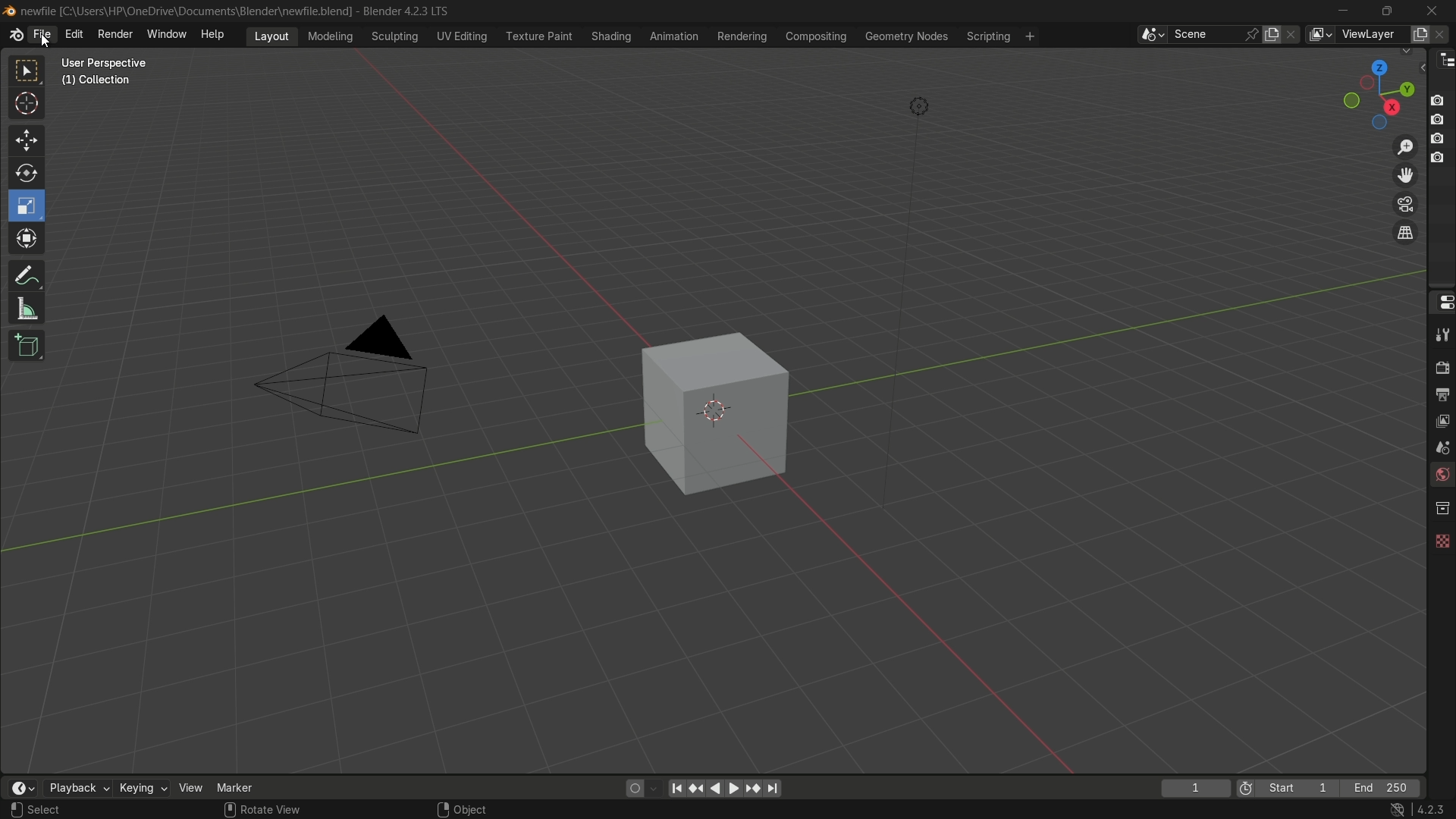  What do you see at coordinates (187, 11) in the screenshot?
I see `C:\User:\\HP\Onedrive\Documents\Blender` at bounding box center [187, 11].